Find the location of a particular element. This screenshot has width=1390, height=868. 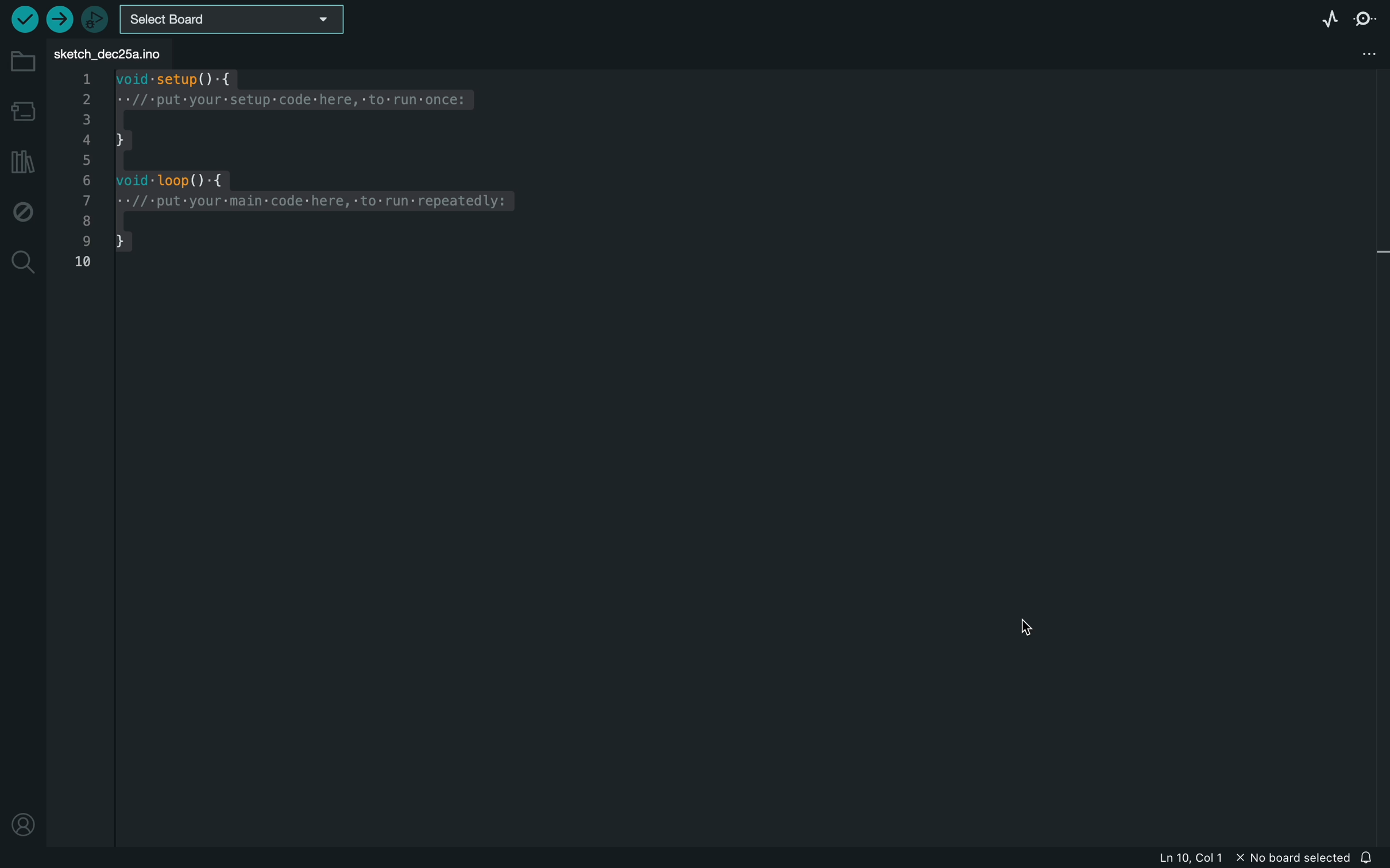

file  setting is located at coordinates (1347, 52).